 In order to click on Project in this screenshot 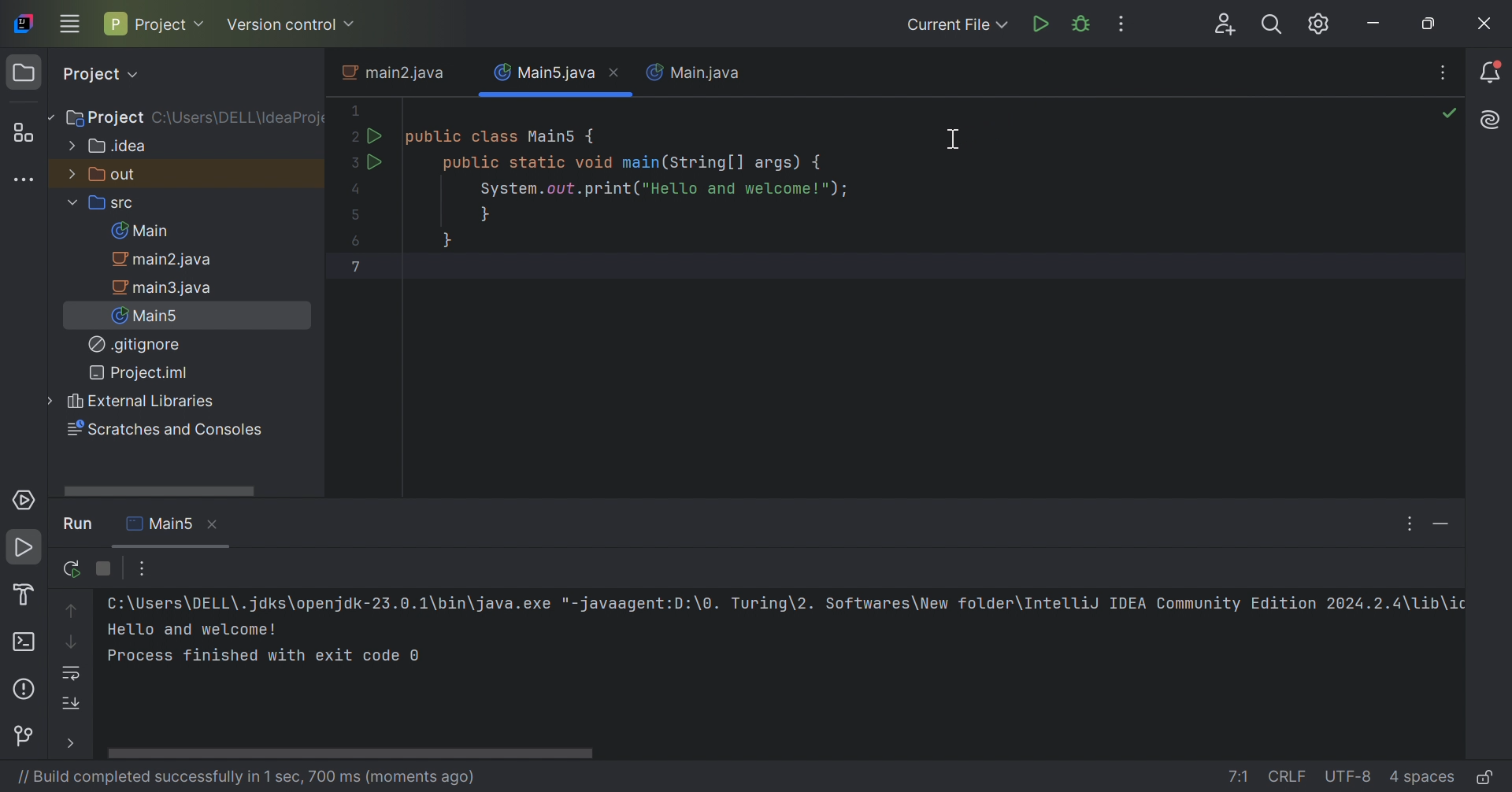, I will do `click(103, 117)`.